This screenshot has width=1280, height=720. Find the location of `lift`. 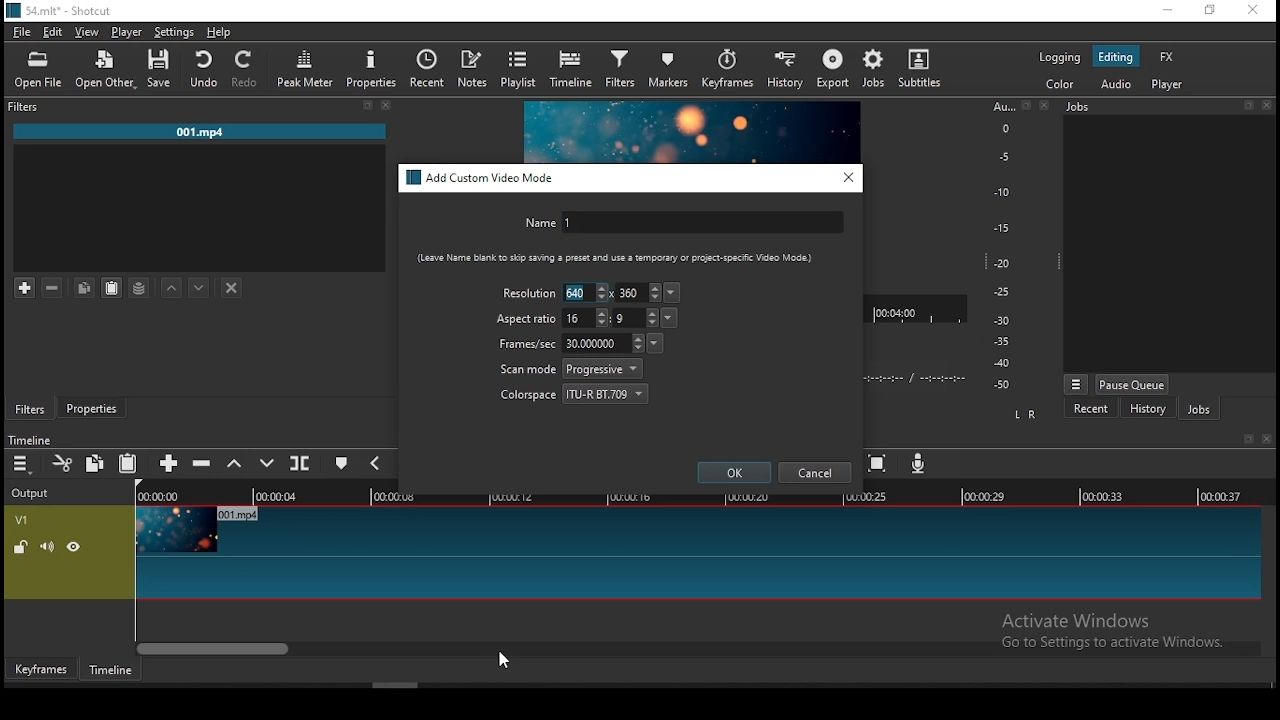

lift is located at coordinates (235, 464).